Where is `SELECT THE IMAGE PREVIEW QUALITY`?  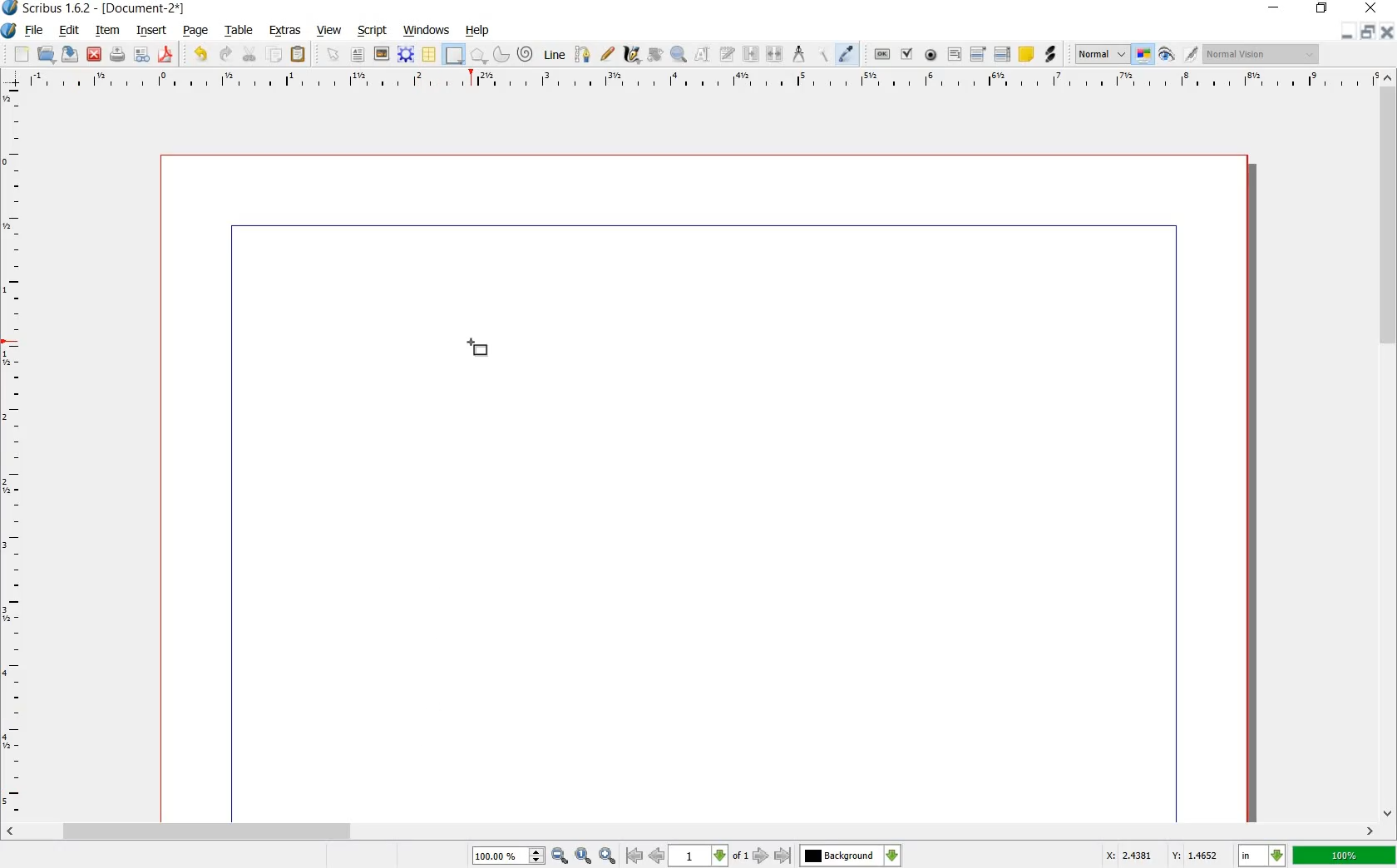
SELECT THE IMAGE PREVIEW QUALITY is located at coordinates (1098, 54).